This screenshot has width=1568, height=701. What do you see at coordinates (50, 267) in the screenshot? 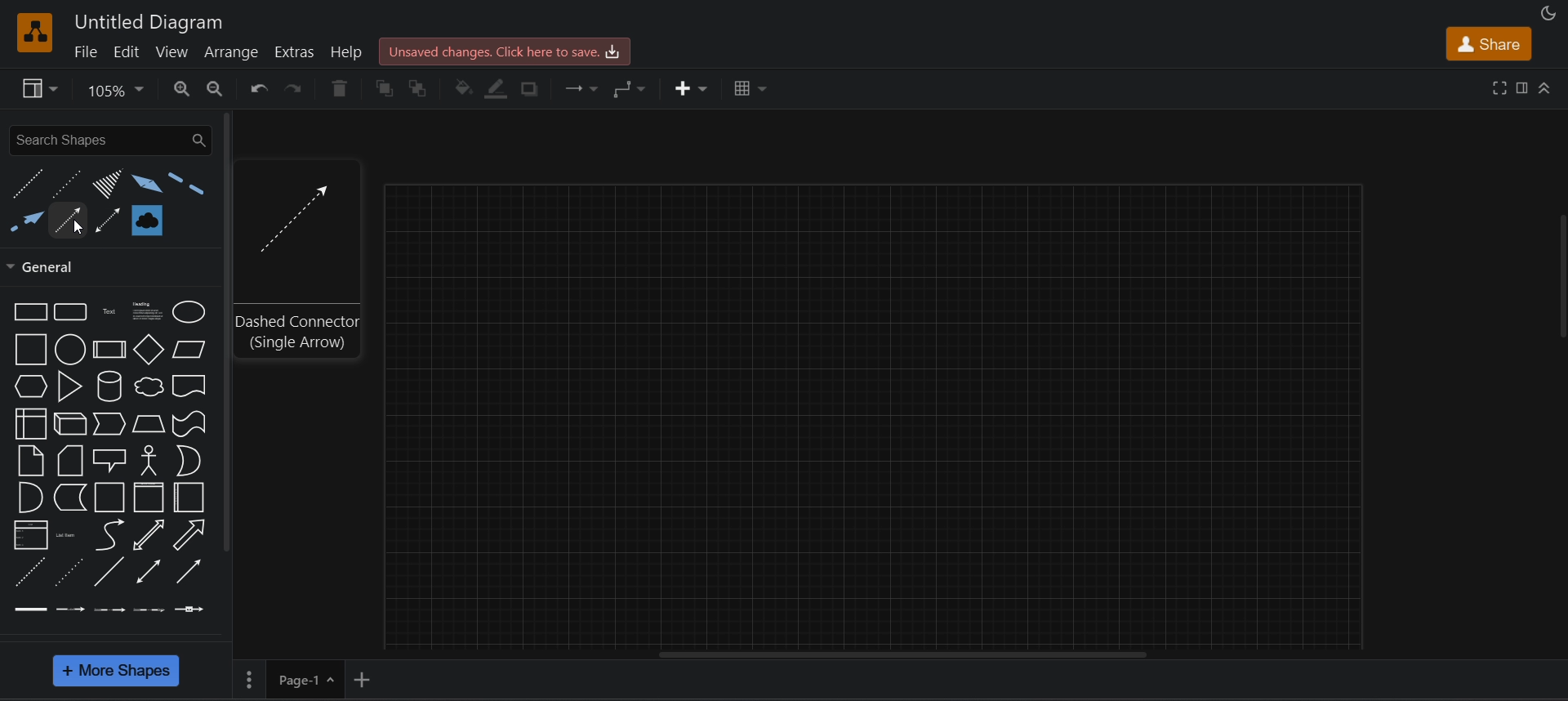
I see `general` at bounding box center [50, 267].